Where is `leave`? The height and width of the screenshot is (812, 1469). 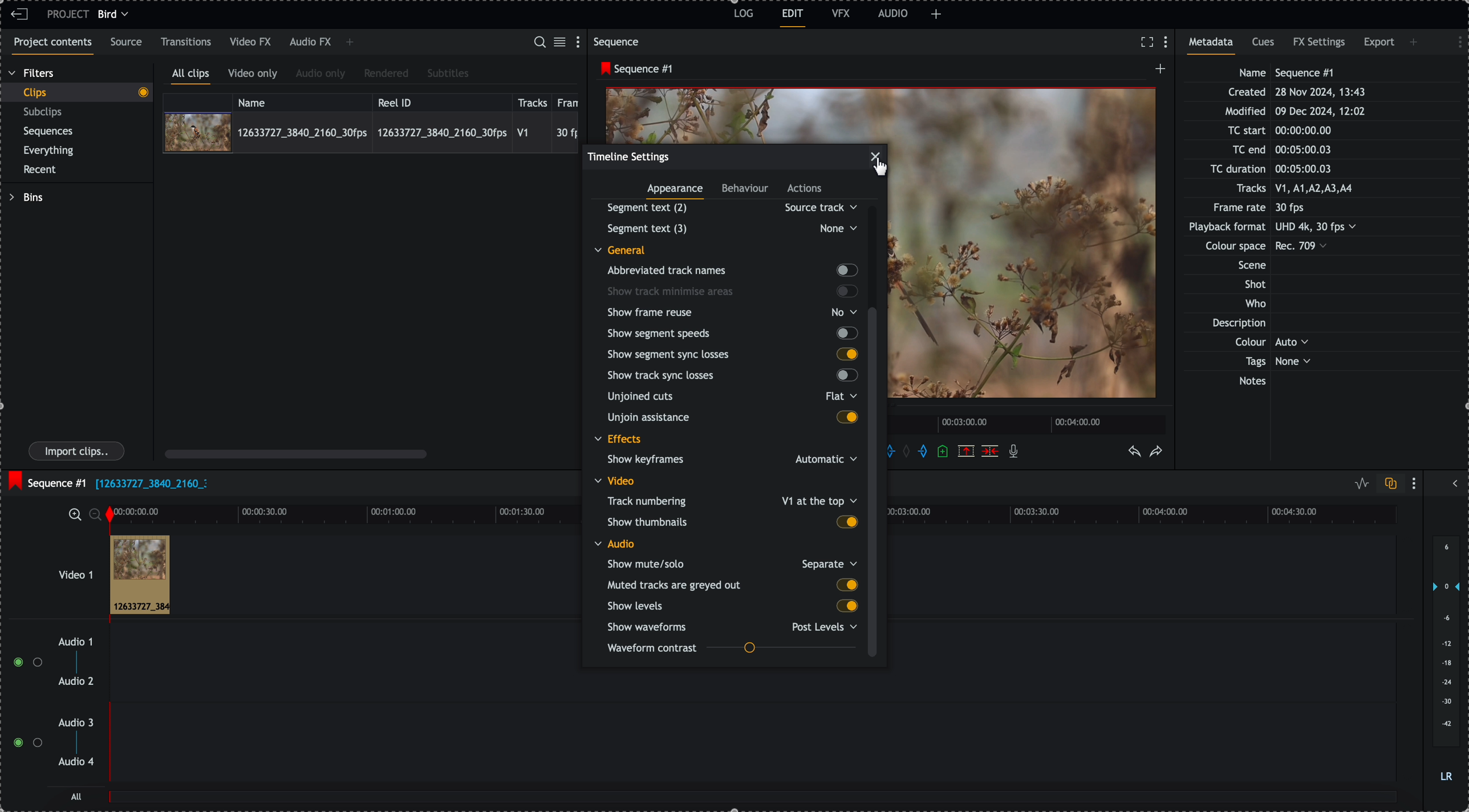 leave is located at coordinates (19, 15).